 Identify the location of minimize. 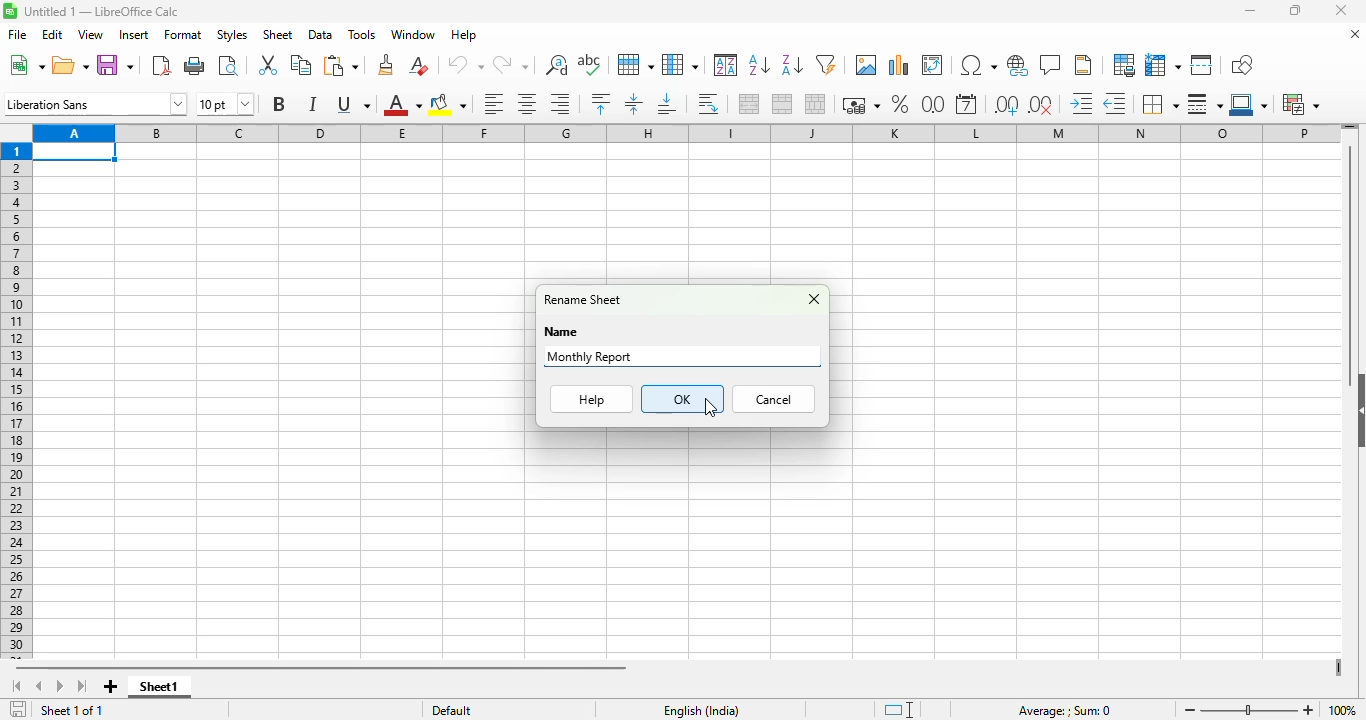
(1248, 11).